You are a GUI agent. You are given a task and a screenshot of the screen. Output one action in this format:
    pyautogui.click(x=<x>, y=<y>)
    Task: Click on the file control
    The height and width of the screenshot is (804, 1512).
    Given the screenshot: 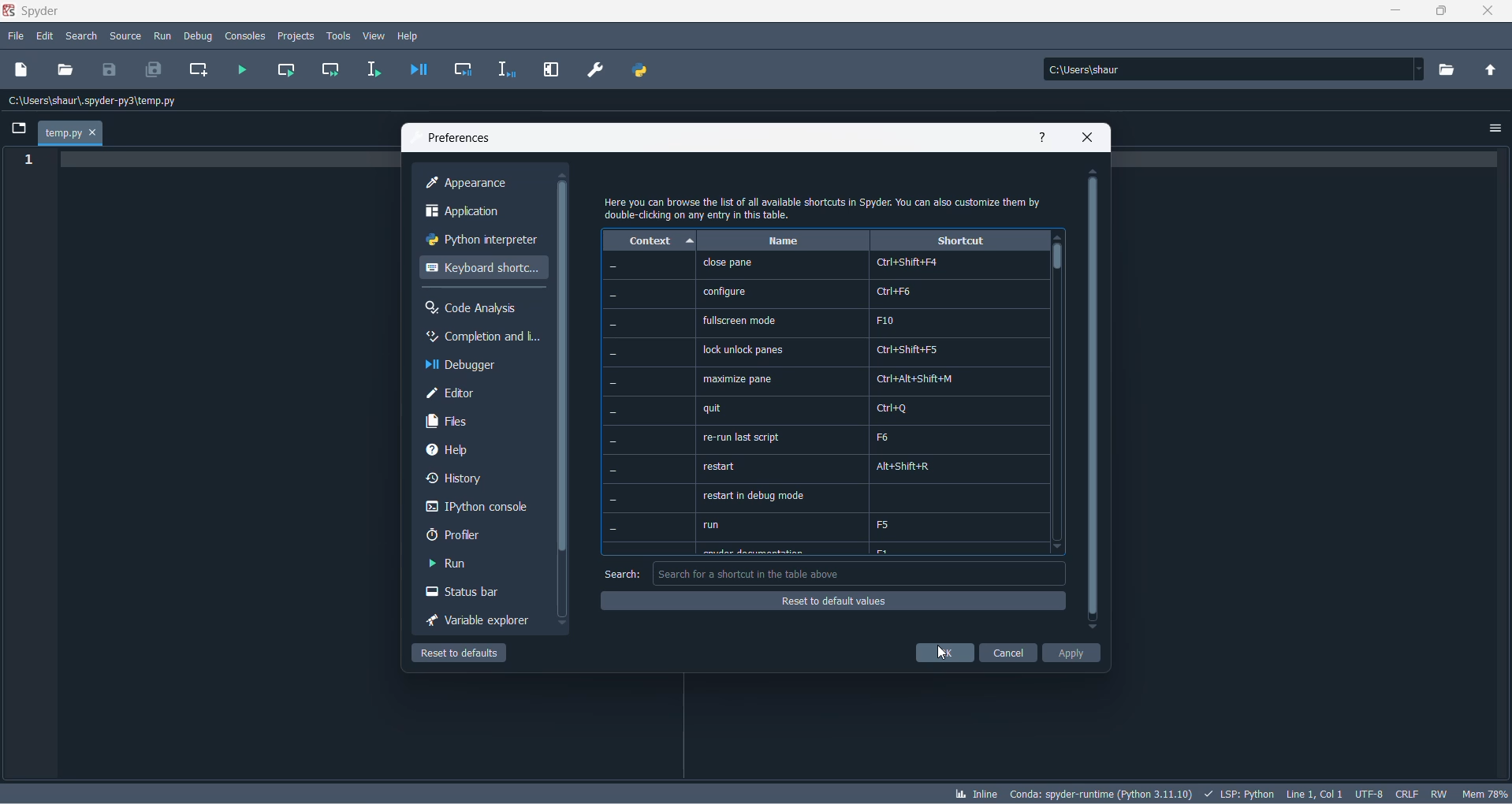 What is the action you would take?
    pyautogui.click(x=1443, y=793)
    